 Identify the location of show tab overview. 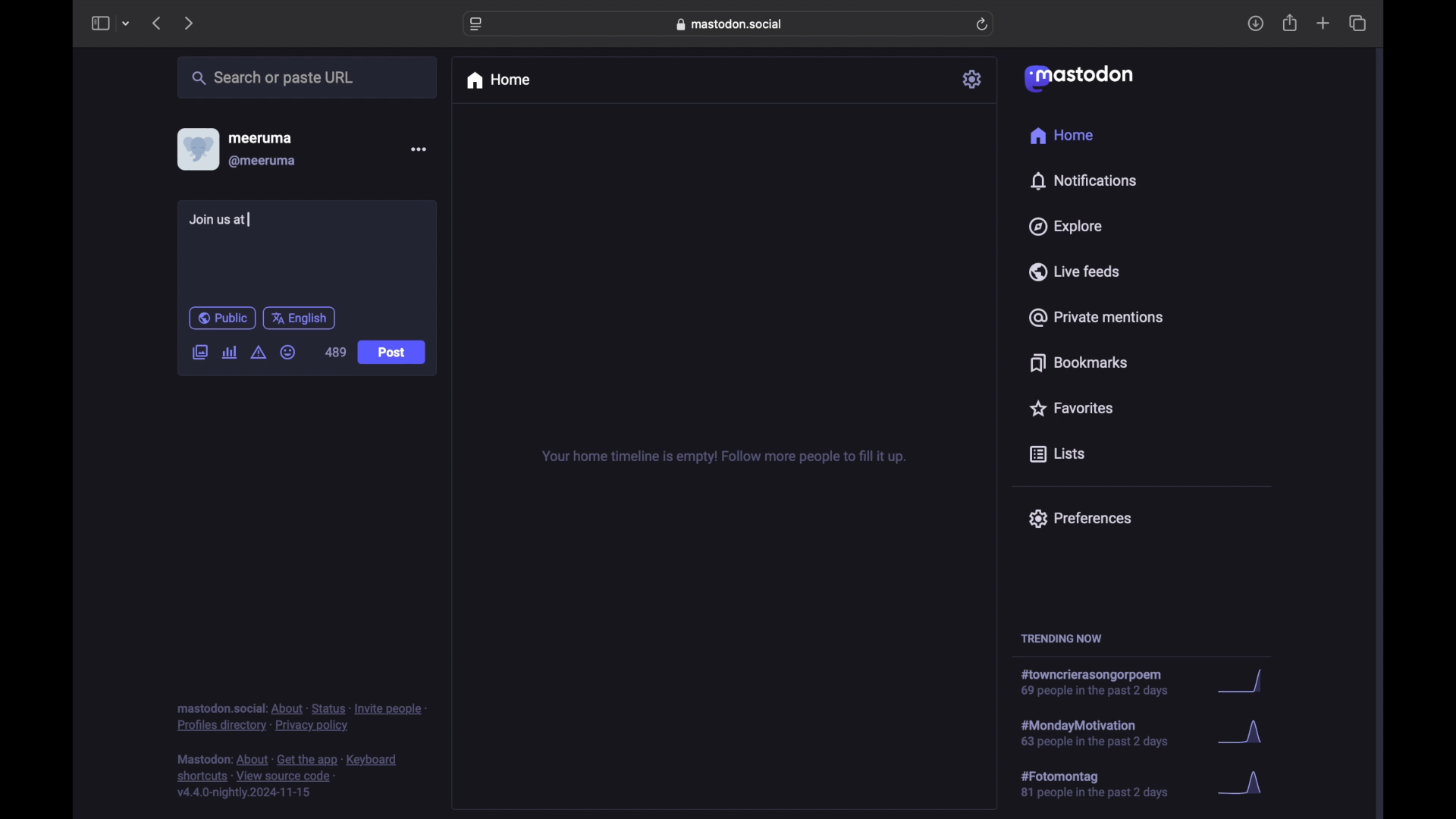
(1357, 24).